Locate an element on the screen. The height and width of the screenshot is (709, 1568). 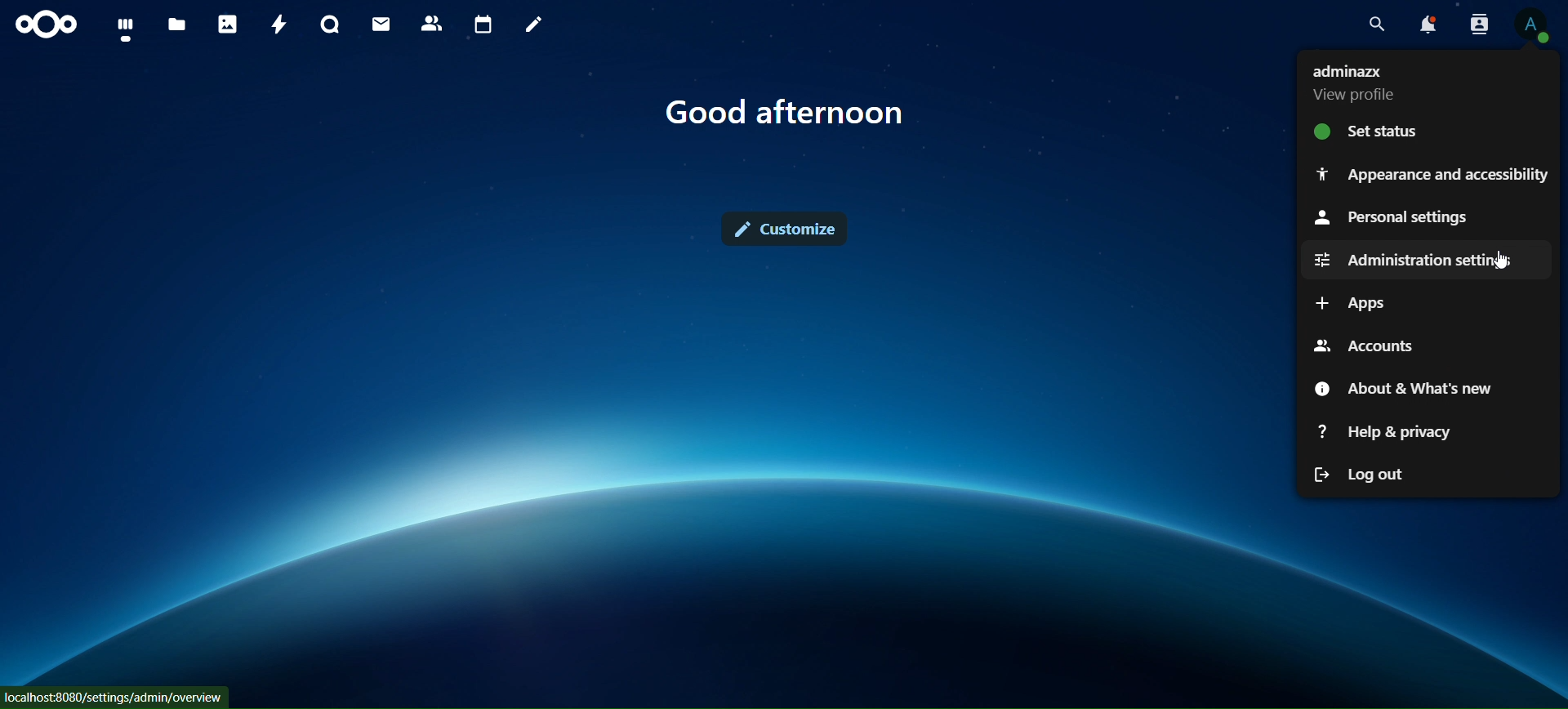
talk is located at coordinates (327, 26).